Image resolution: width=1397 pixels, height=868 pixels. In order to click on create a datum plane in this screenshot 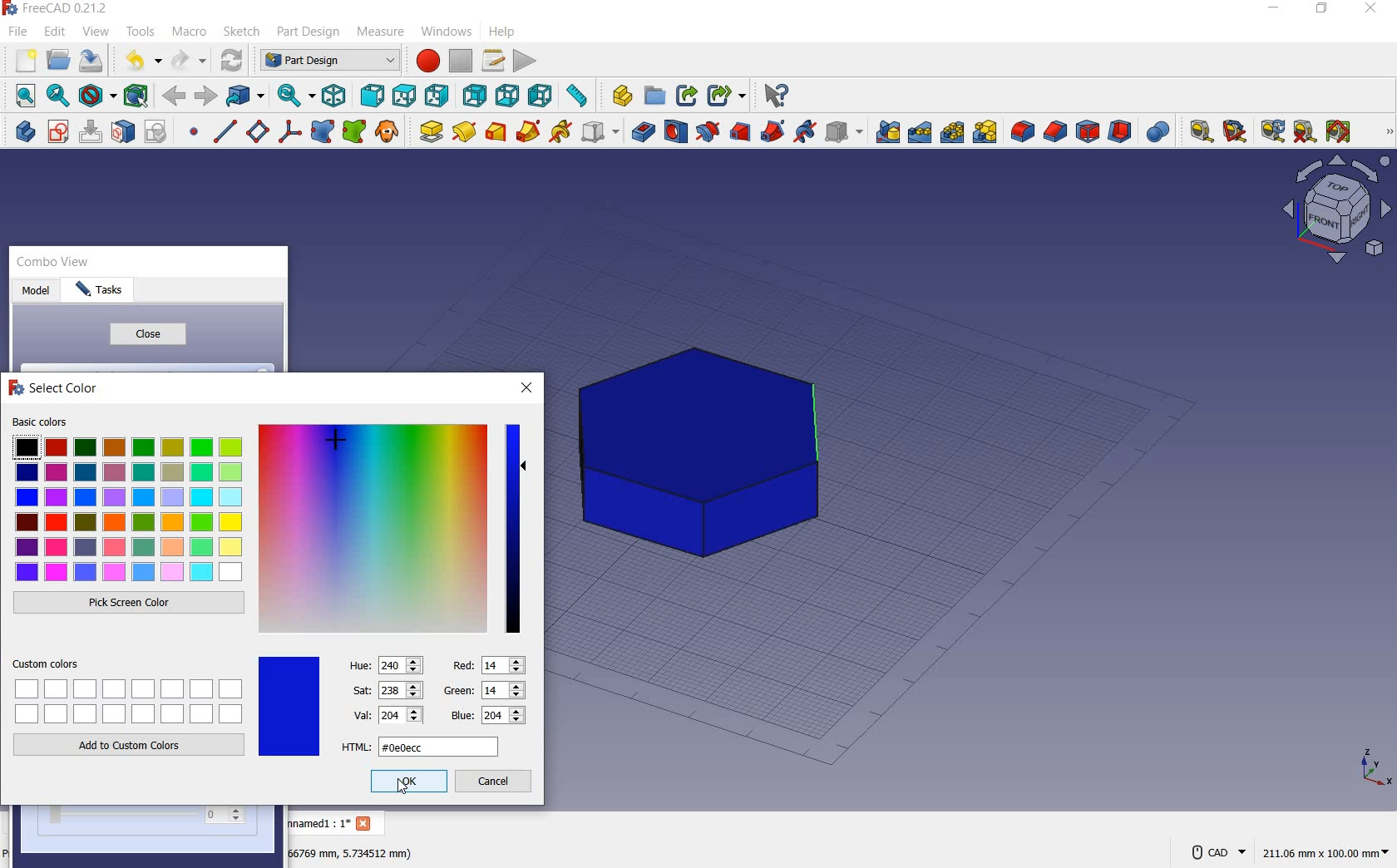, I will do `click(256, 132)`.